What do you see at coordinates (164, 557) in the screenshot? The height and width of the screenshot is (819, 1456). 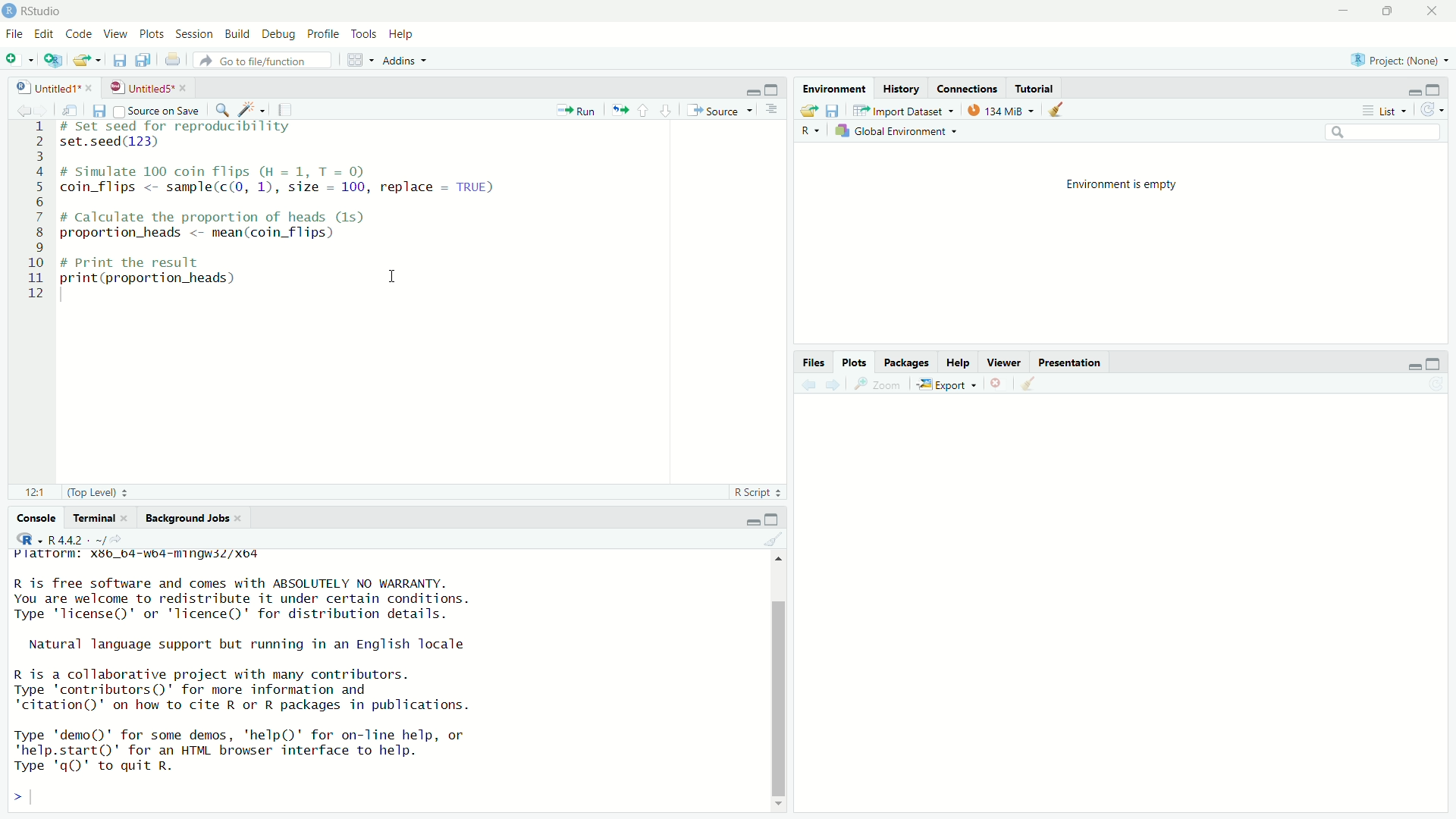 I see `platform` at bounding box center [164, 557].